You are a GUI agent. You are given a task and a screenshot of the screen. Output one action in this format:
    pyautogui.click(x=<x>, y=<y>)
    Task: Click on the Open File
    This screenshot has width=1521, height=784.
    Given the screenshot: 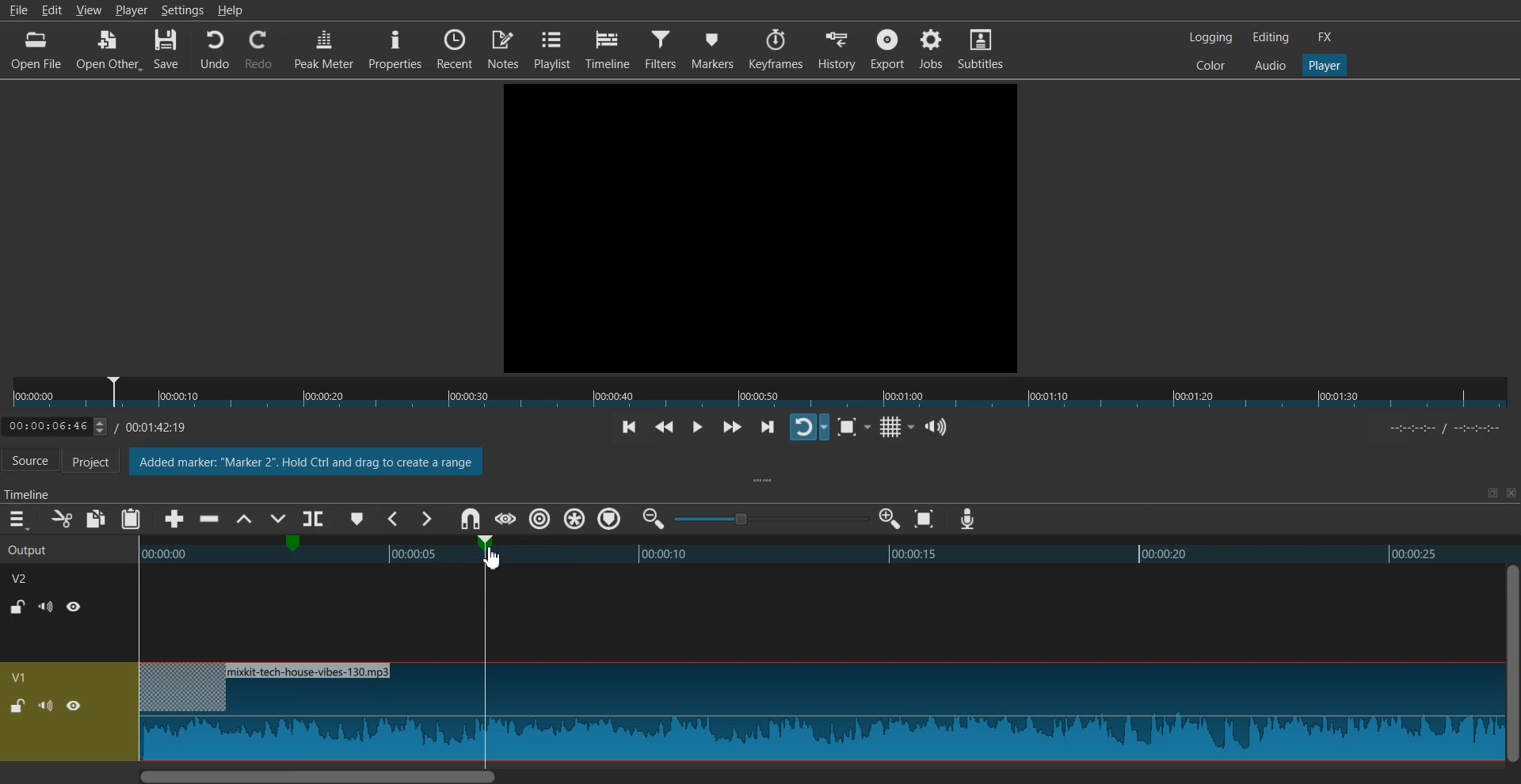 What is the action you would take?
    pyautogui.click(x=38, y=50)
    